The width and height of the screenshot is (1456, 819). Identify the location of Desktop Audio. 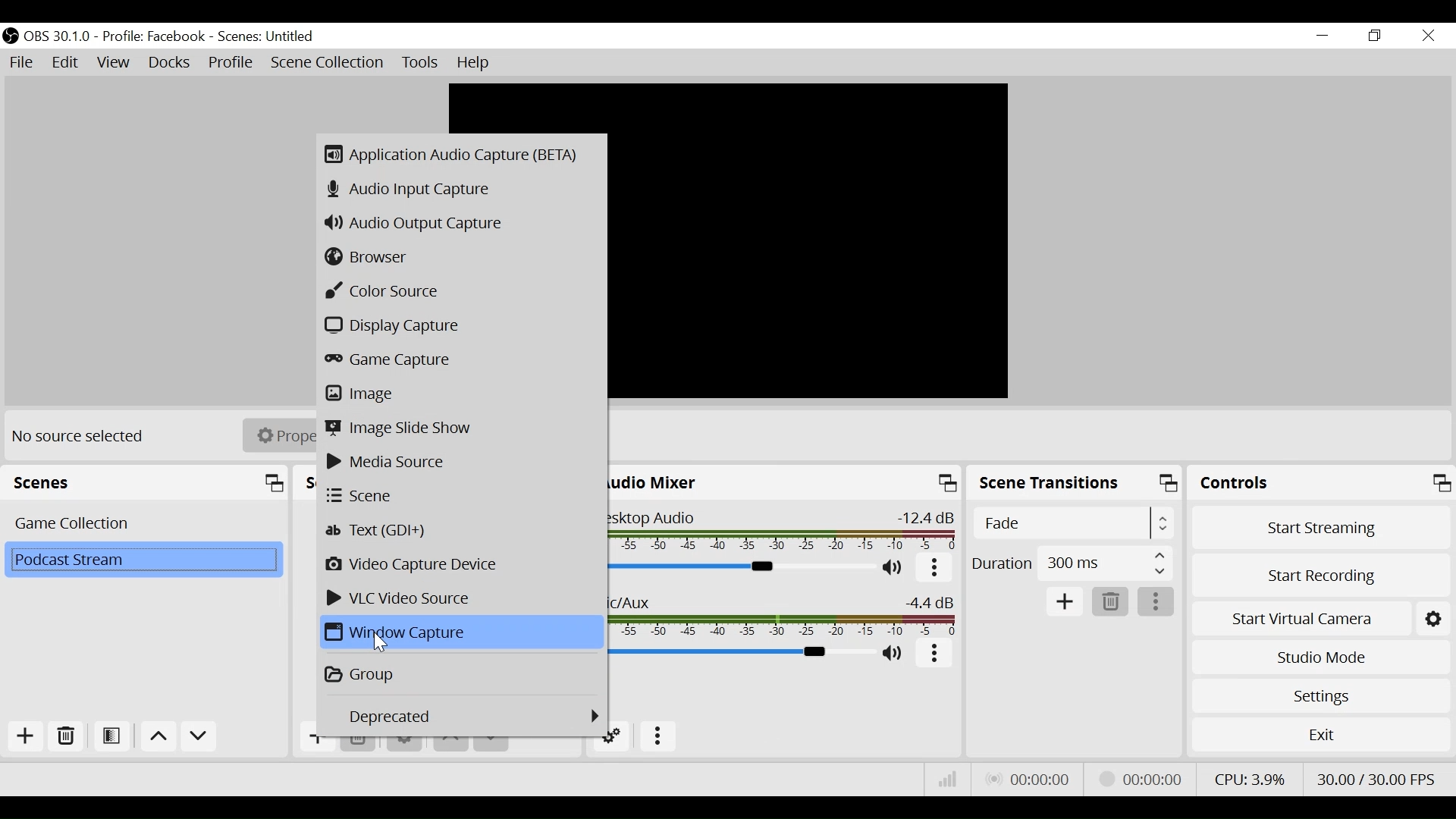
(788, 532).